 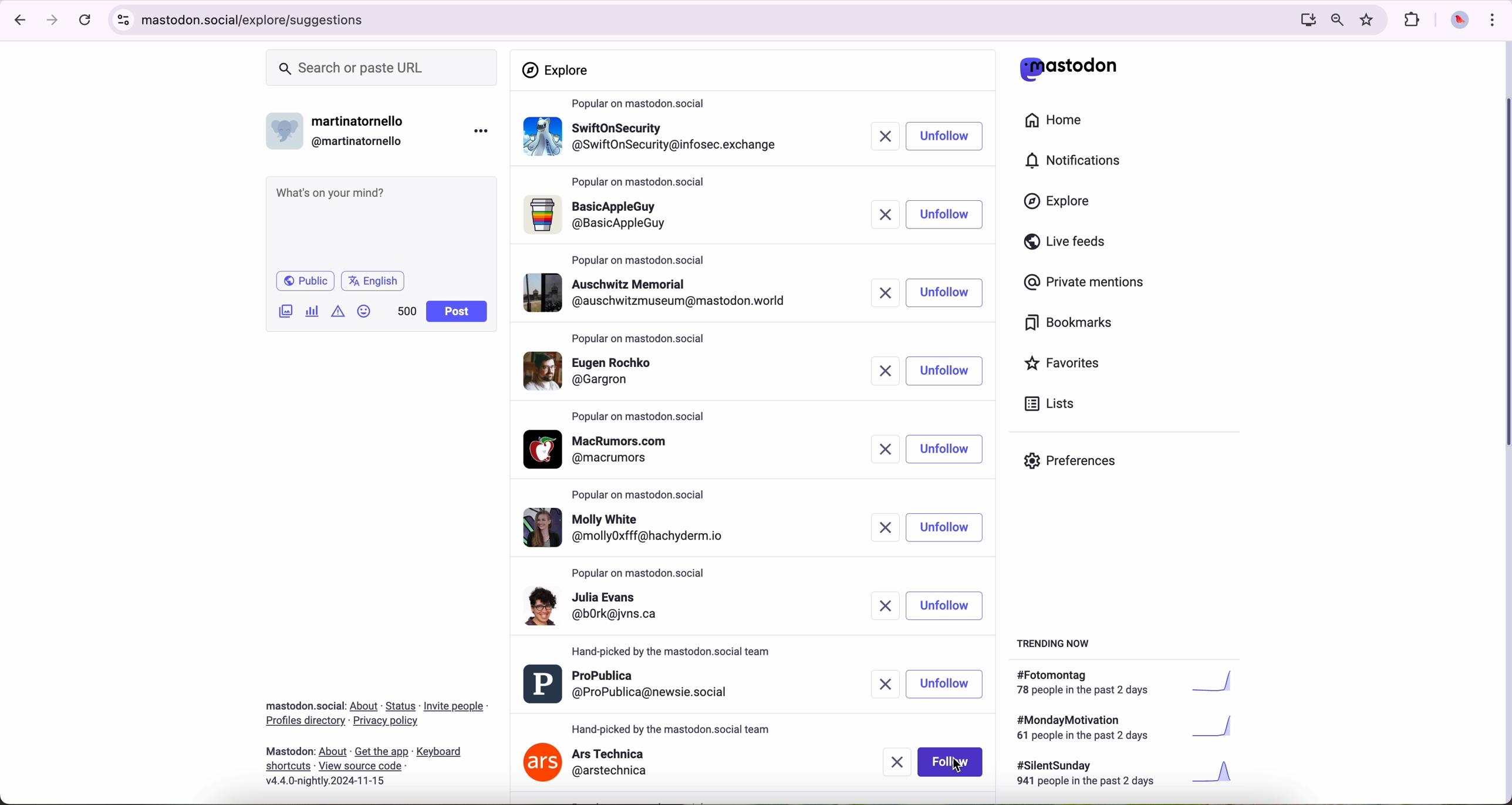 I want to click on profile, so click(x=655, y=292).